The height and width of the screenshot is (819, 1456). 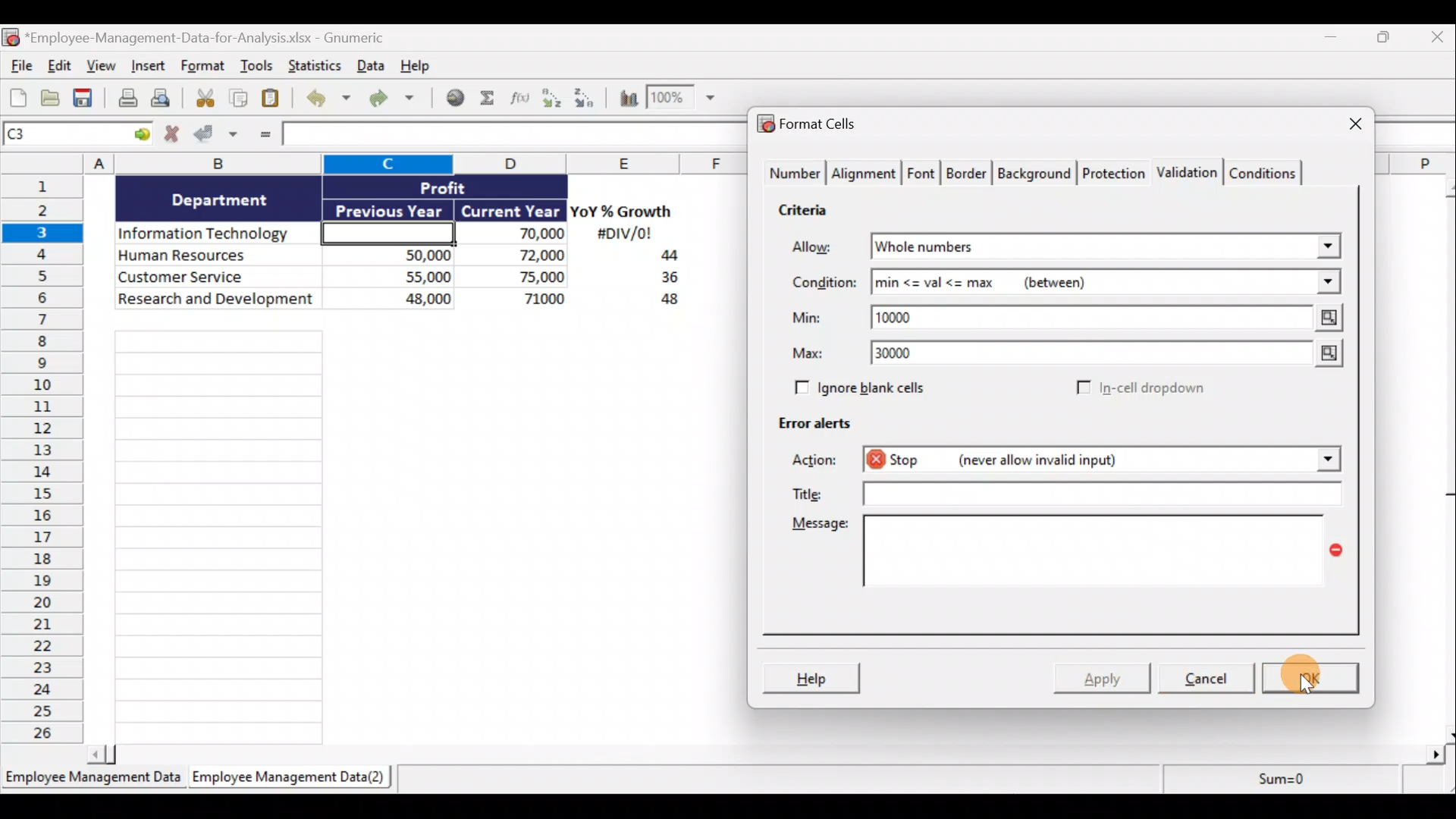 What do you see at coordinates (84, 99) in the screenshot?
I see `Save current workbook` at bounding box center [84, 99].